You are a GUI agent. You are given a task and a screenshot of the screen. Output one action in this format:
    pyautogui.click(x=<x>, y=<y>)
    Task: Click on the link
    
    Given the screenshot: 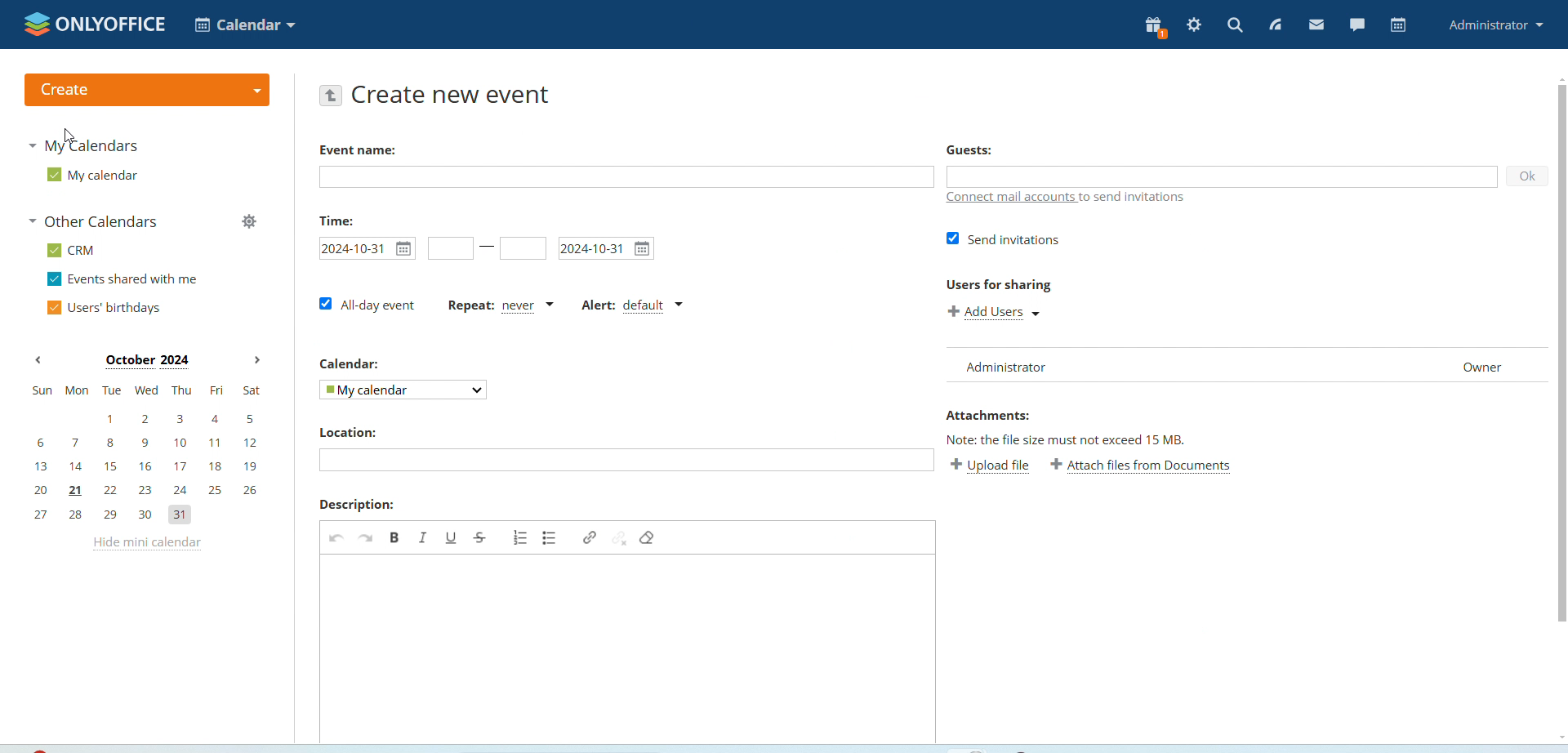 What is the action you would take?
    pyautogui.click(x=588, y=538)
    